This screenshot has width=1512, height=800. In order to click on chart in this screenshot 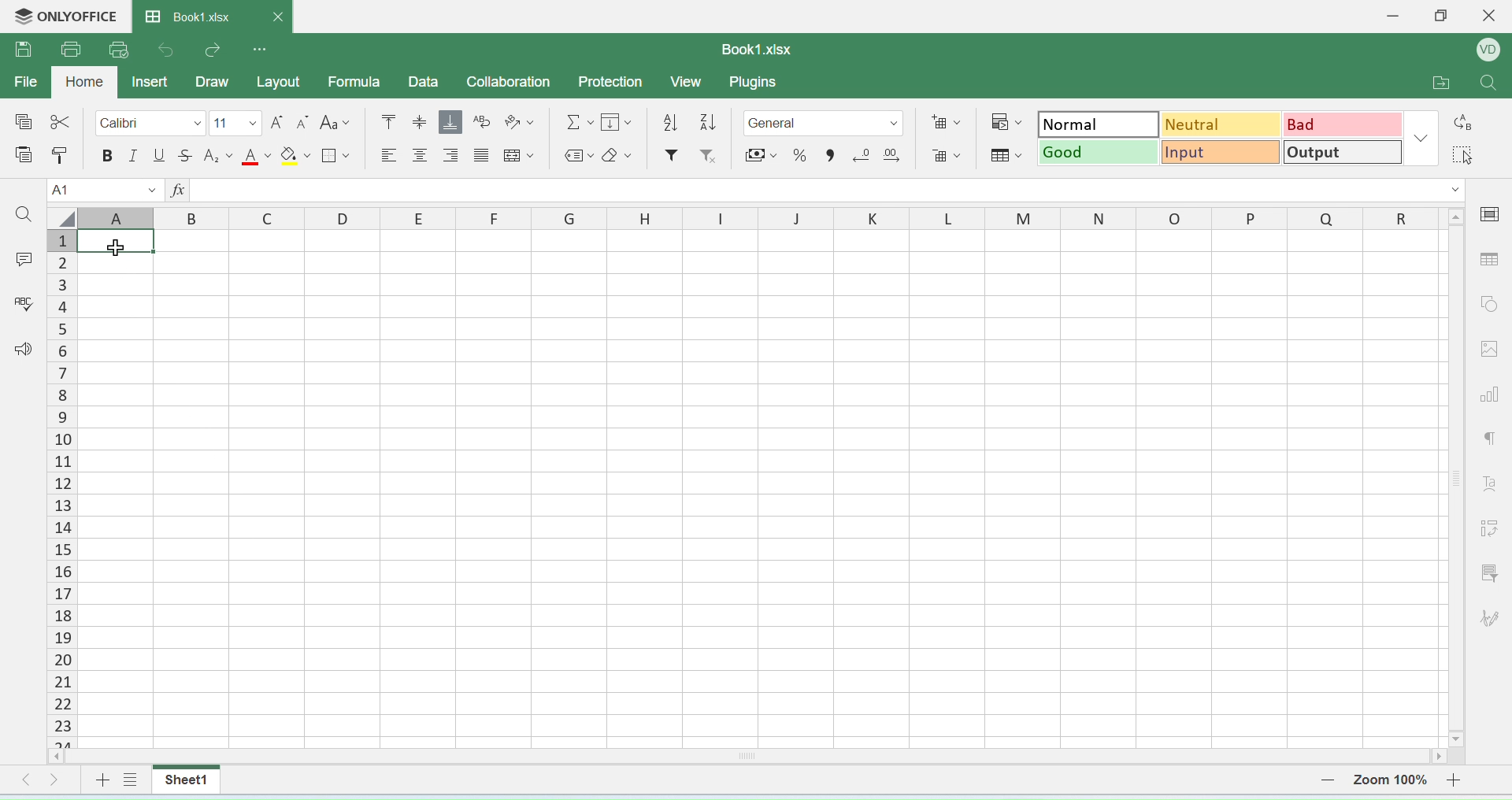, I will do `click(1492, 392)`.